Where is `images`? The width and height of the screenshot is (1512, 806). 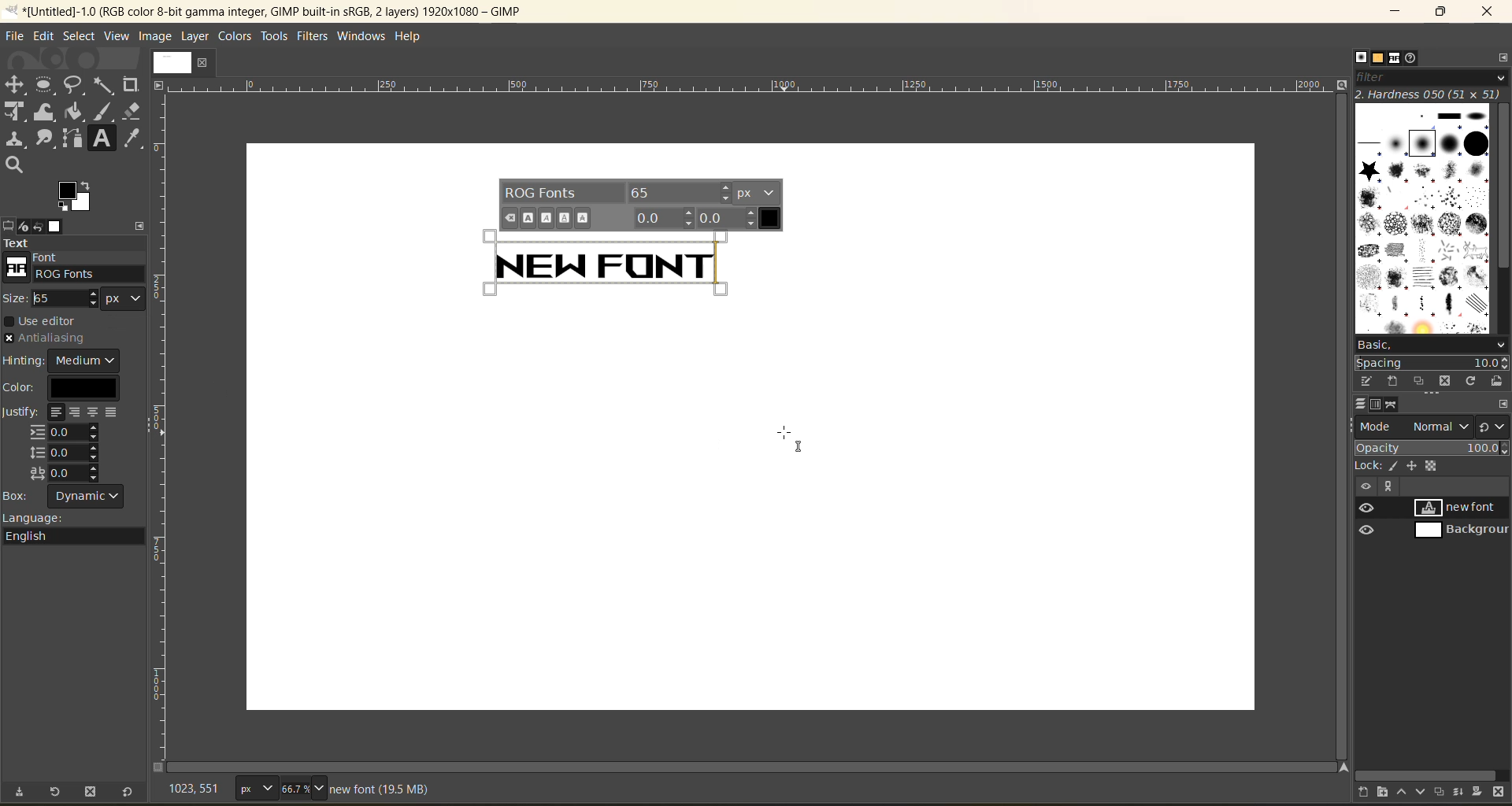 images is located at coordinates (59, 227).